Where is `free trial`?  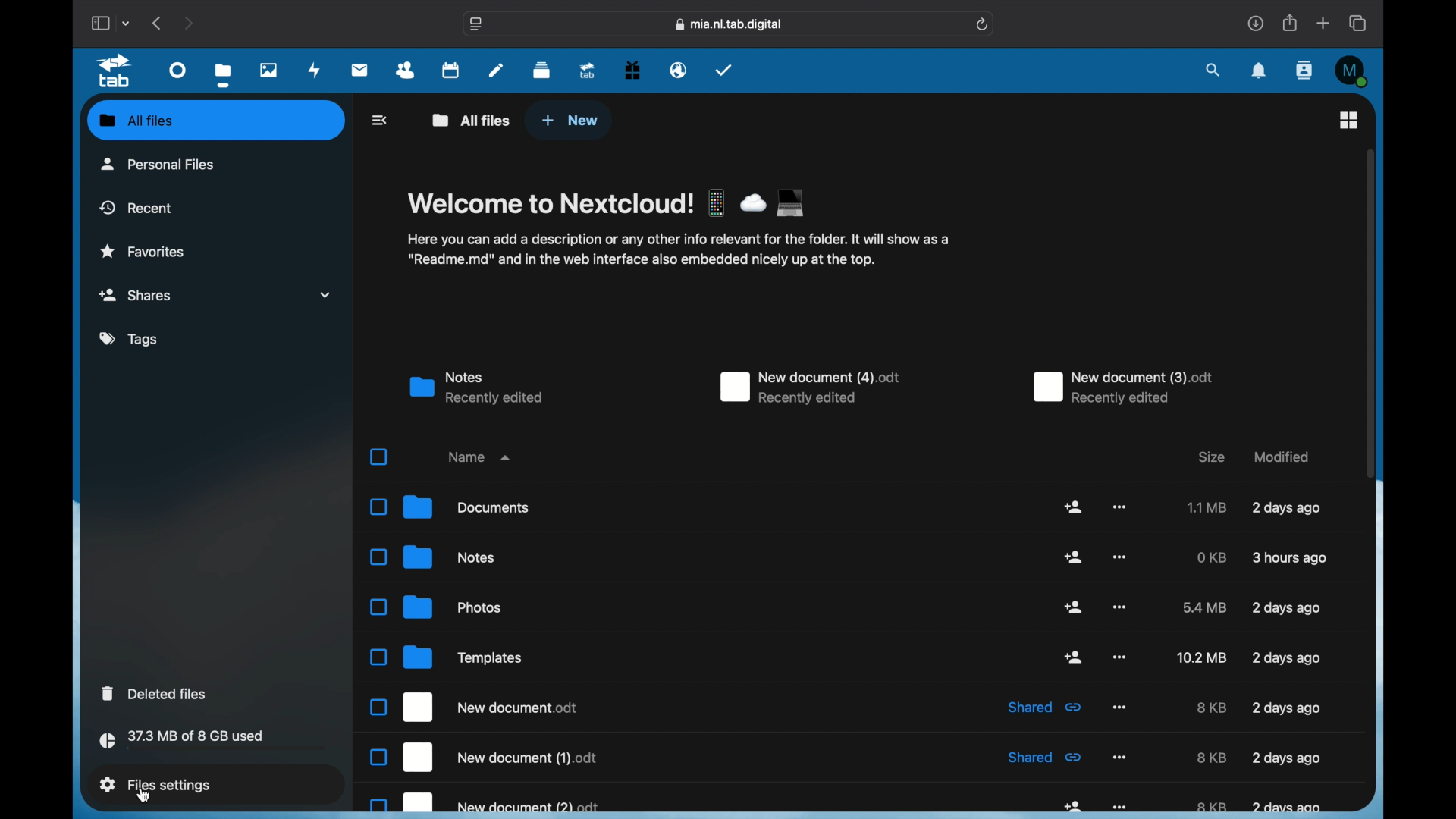 free trial is located at coordinates (632, 69).